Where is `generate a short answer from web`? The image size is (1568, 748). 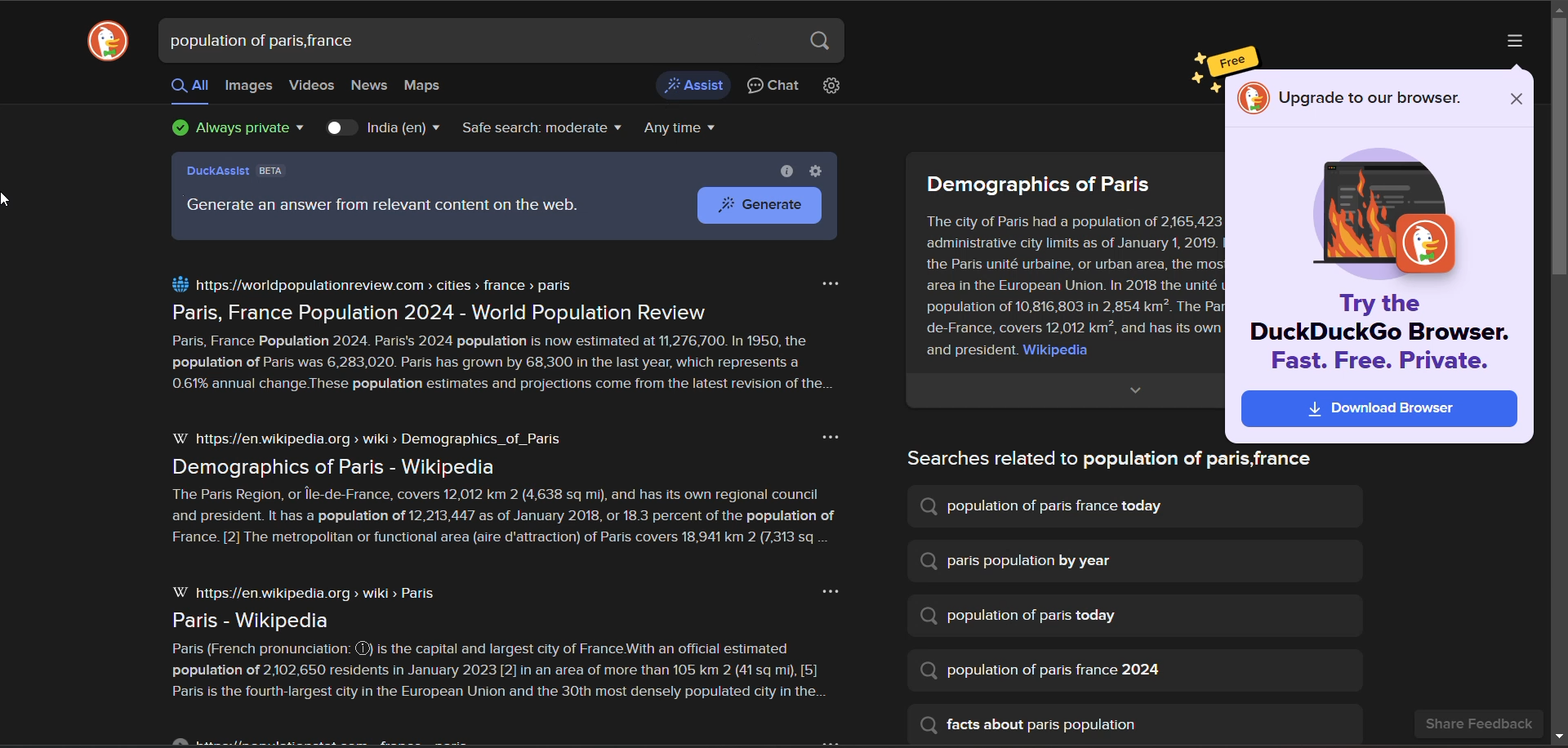 generate a short answer from web is located at coordinates (696, 84).